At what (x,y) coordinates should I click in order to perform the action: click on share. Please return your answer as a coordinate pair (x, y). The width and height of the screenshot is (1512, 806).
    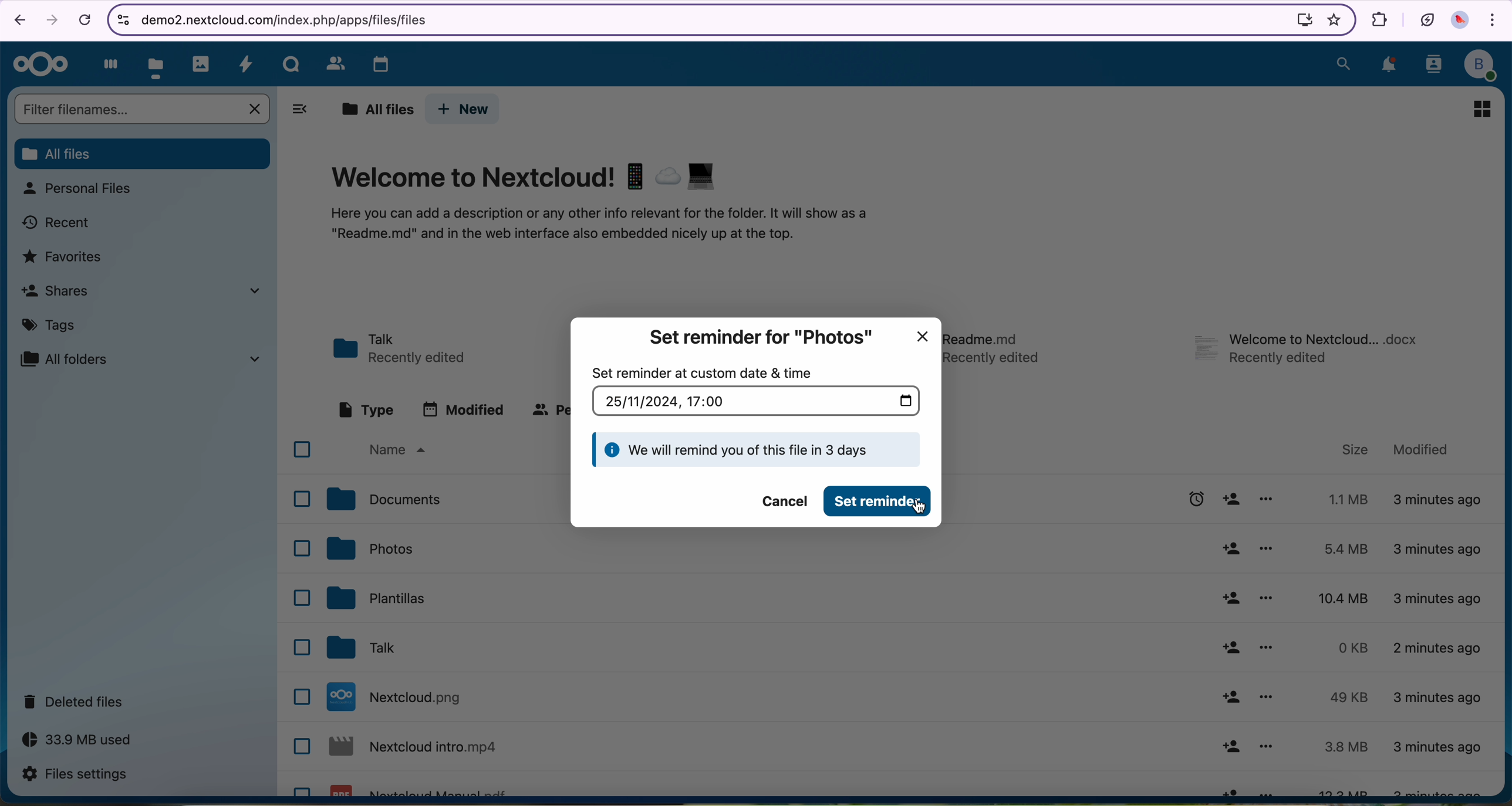
    Looking at the image, I should click on (1229, 598).